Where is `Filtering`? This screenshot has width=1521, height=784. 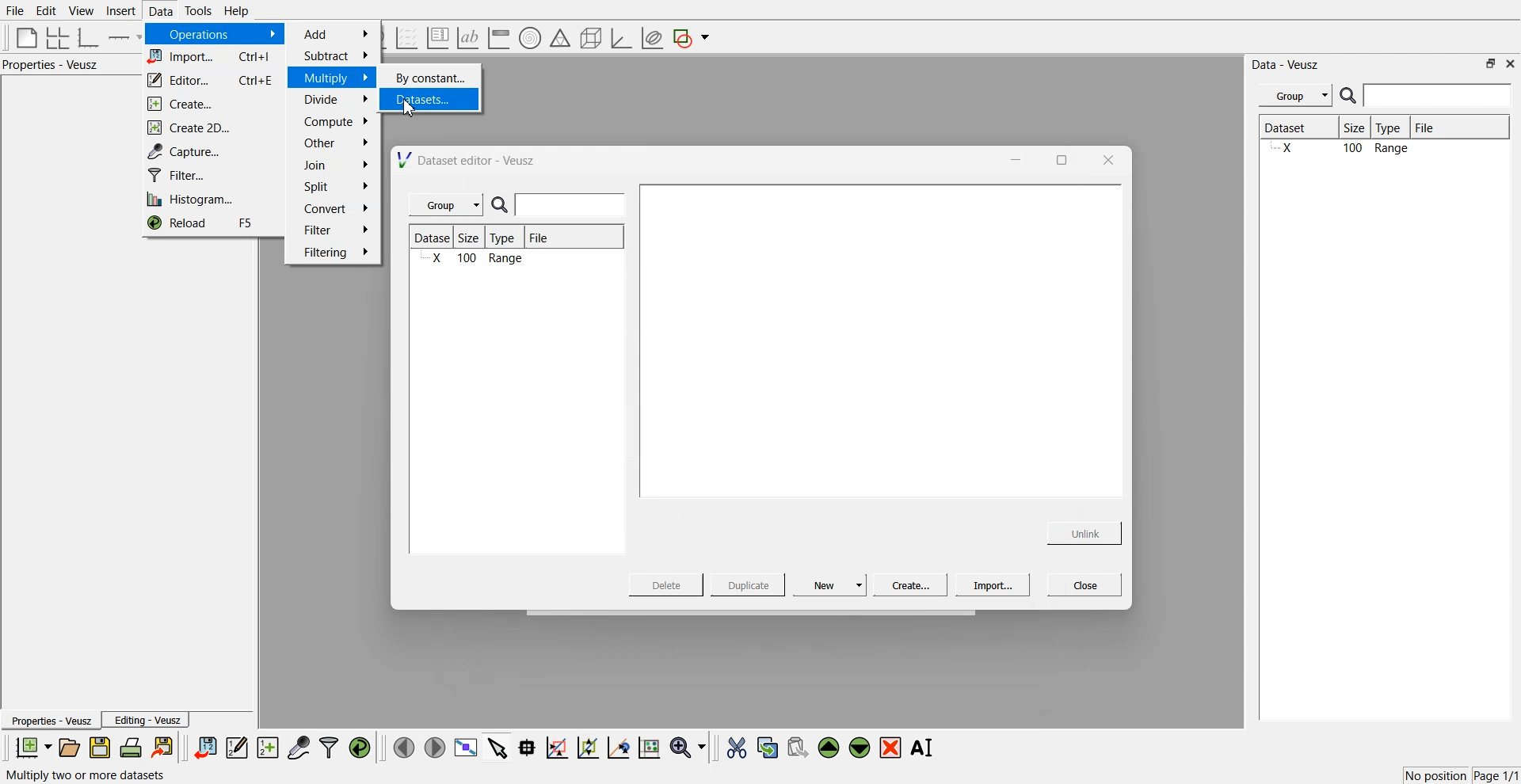
Filtering is located at coordinates (334, 252).